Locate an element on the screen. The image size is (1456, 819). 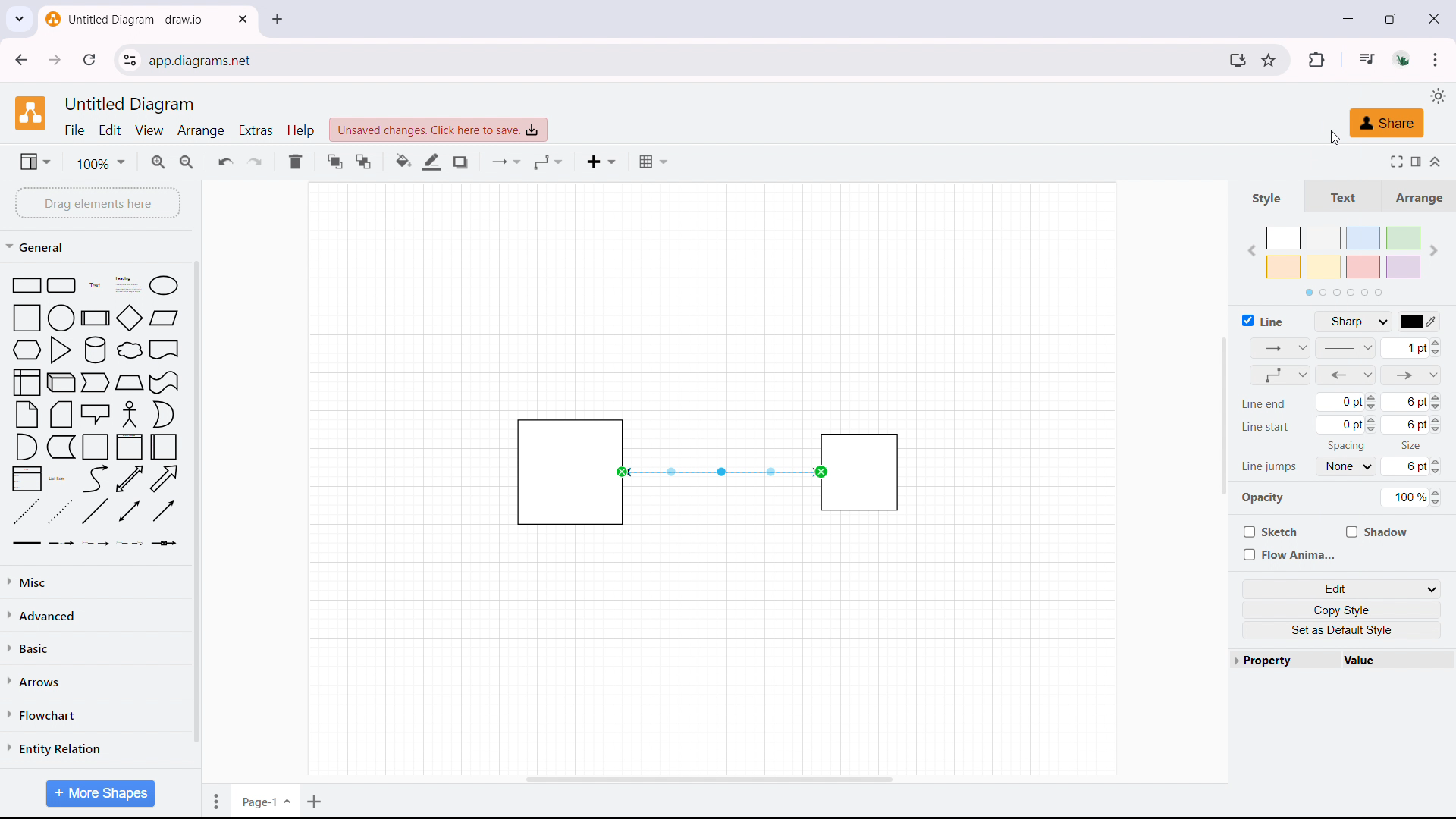
patterns is located at coordinates (1346, 348).